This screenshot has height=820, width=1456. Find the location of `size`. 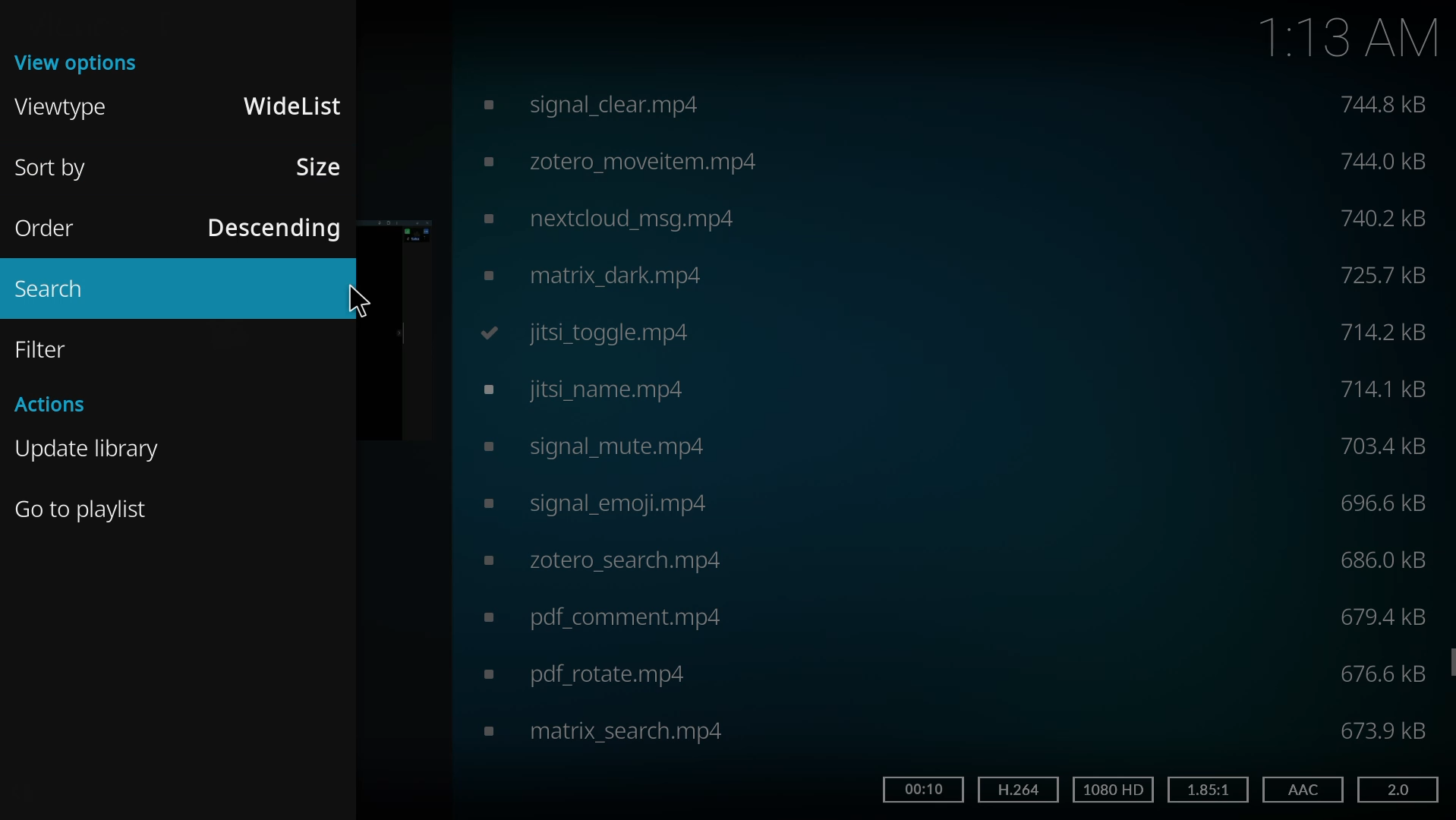

size is located at coordinates (1381, 393).